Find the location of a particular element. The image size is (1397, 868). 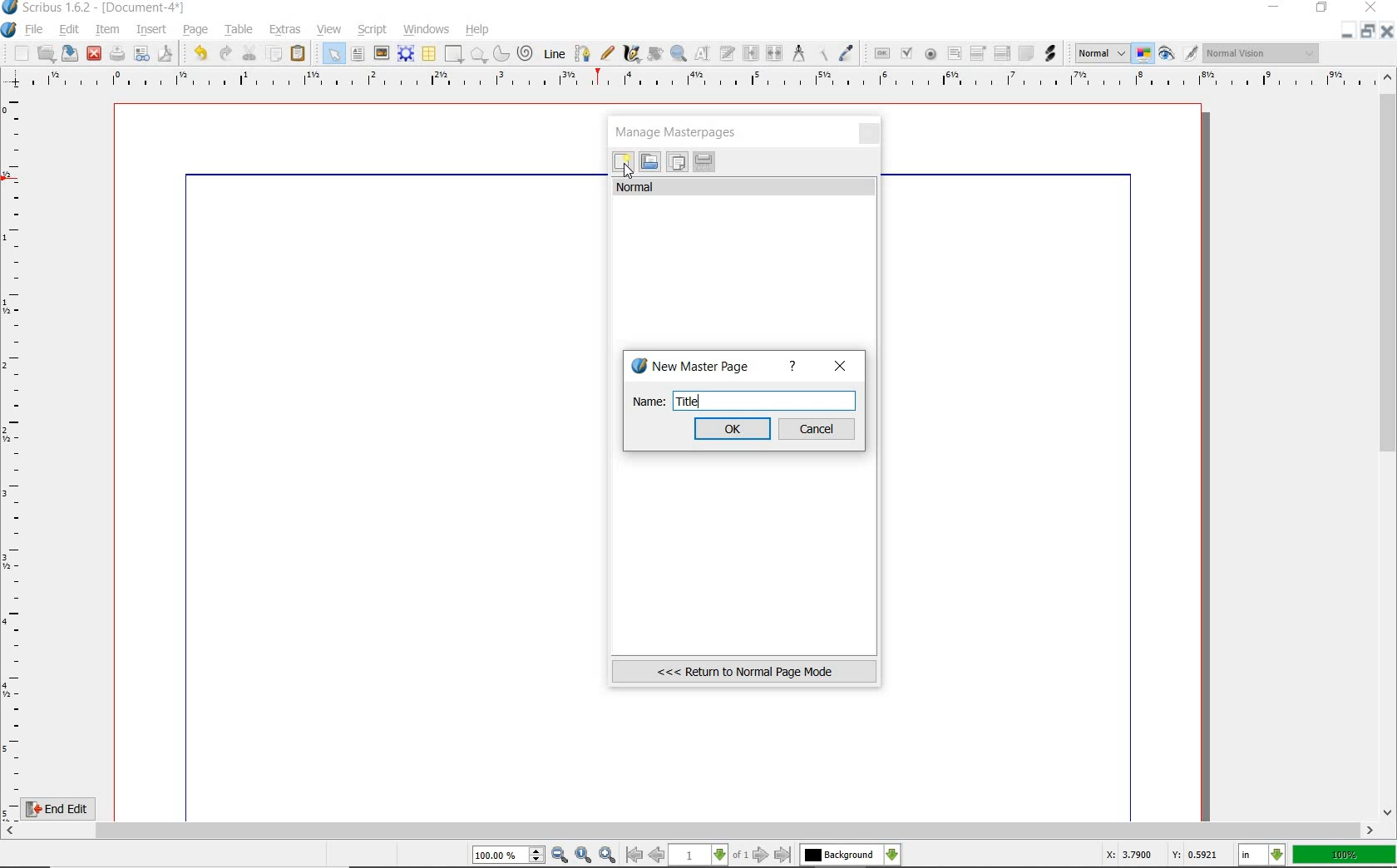

freehand line is located at coordinates (605, 54).